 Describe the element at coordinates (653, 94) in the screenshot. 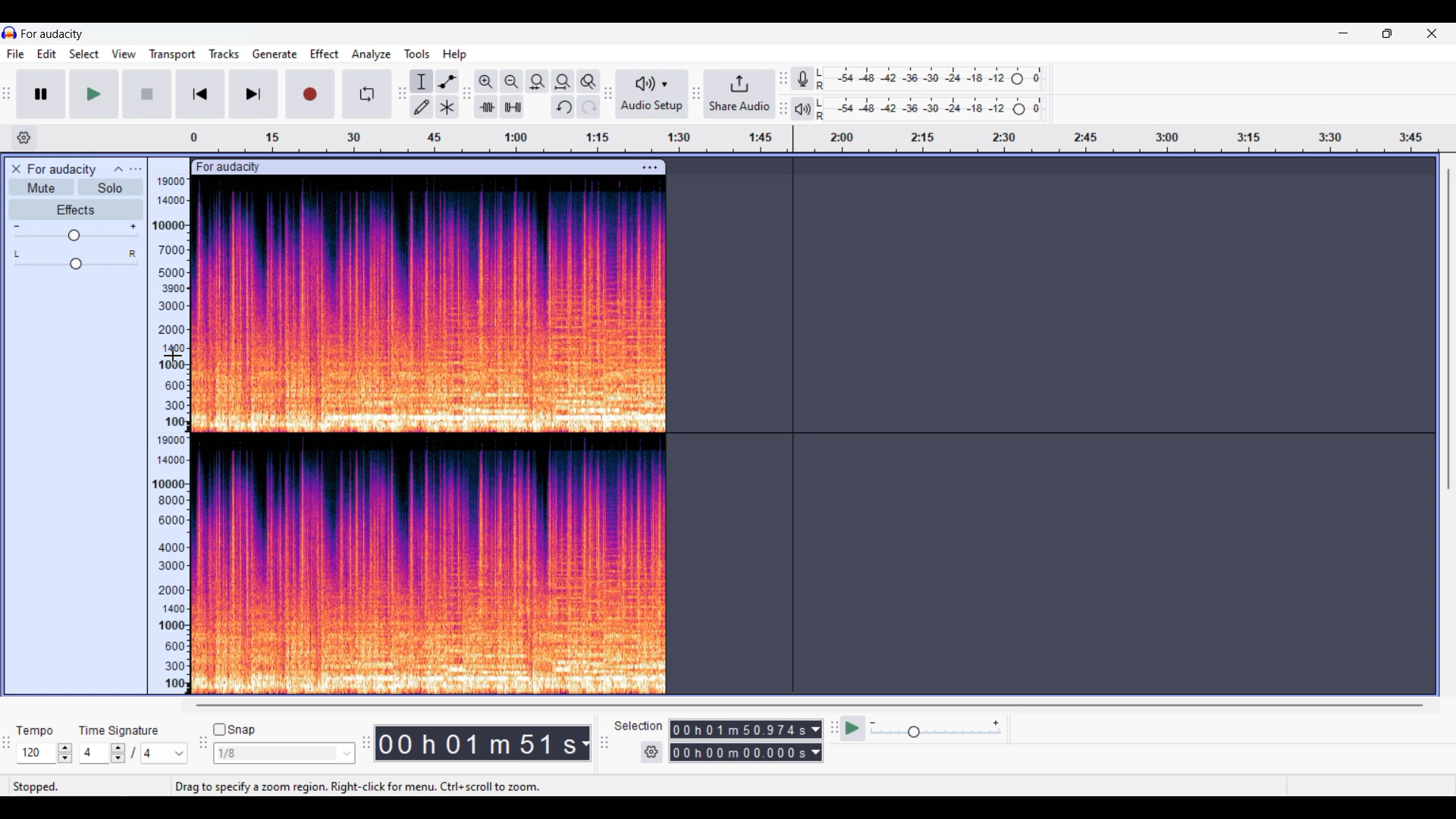

I see `Audio setup` at that location.